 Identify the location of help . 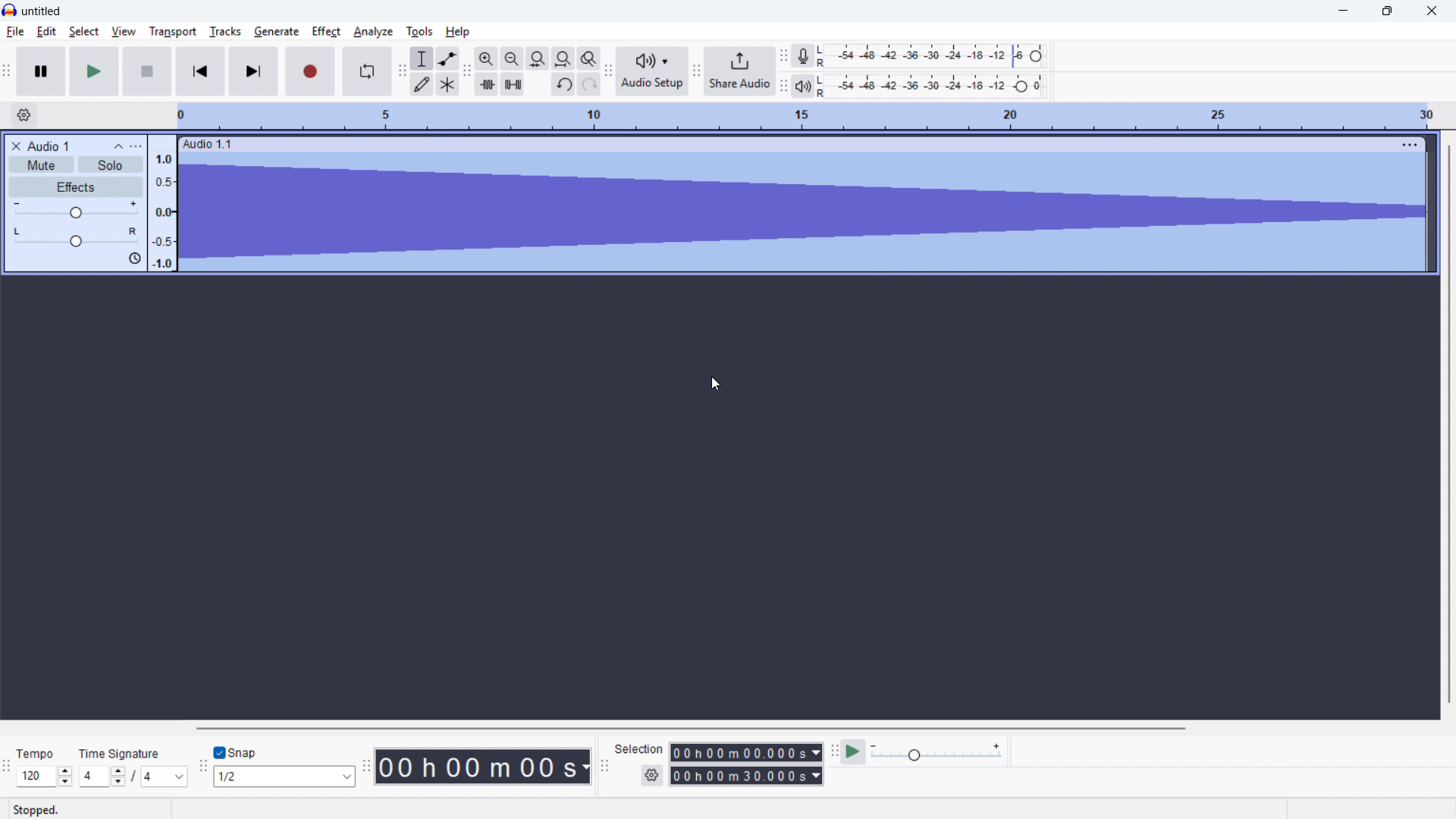
(459, 31).